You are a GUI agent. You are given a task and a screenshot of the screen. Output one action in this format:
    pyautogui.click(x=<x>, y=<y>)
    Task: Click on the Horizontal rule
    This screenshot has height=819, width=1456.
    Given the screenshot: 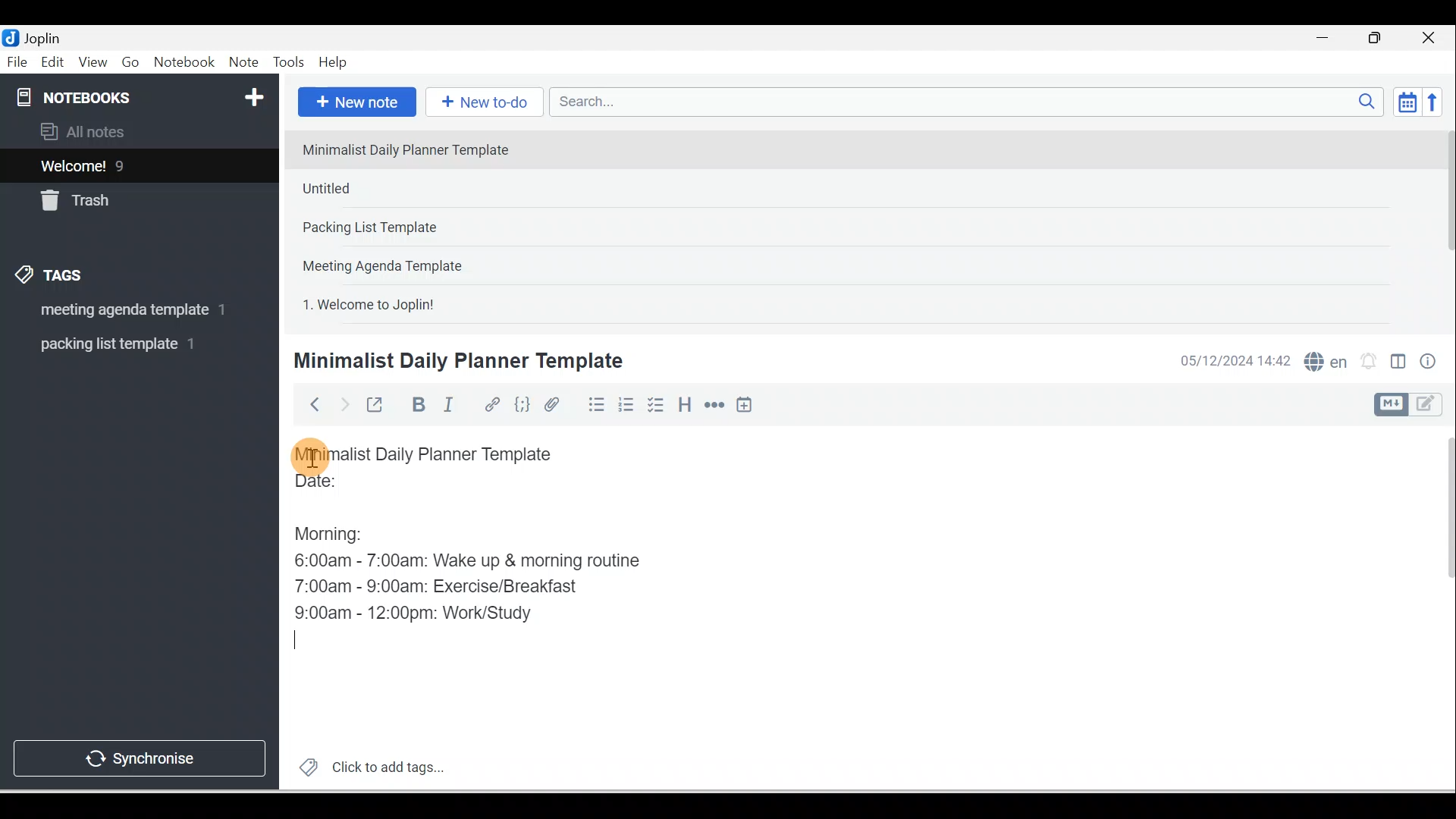 What is the action you would take?
    pyautogui.click(x=716, y=405)
    